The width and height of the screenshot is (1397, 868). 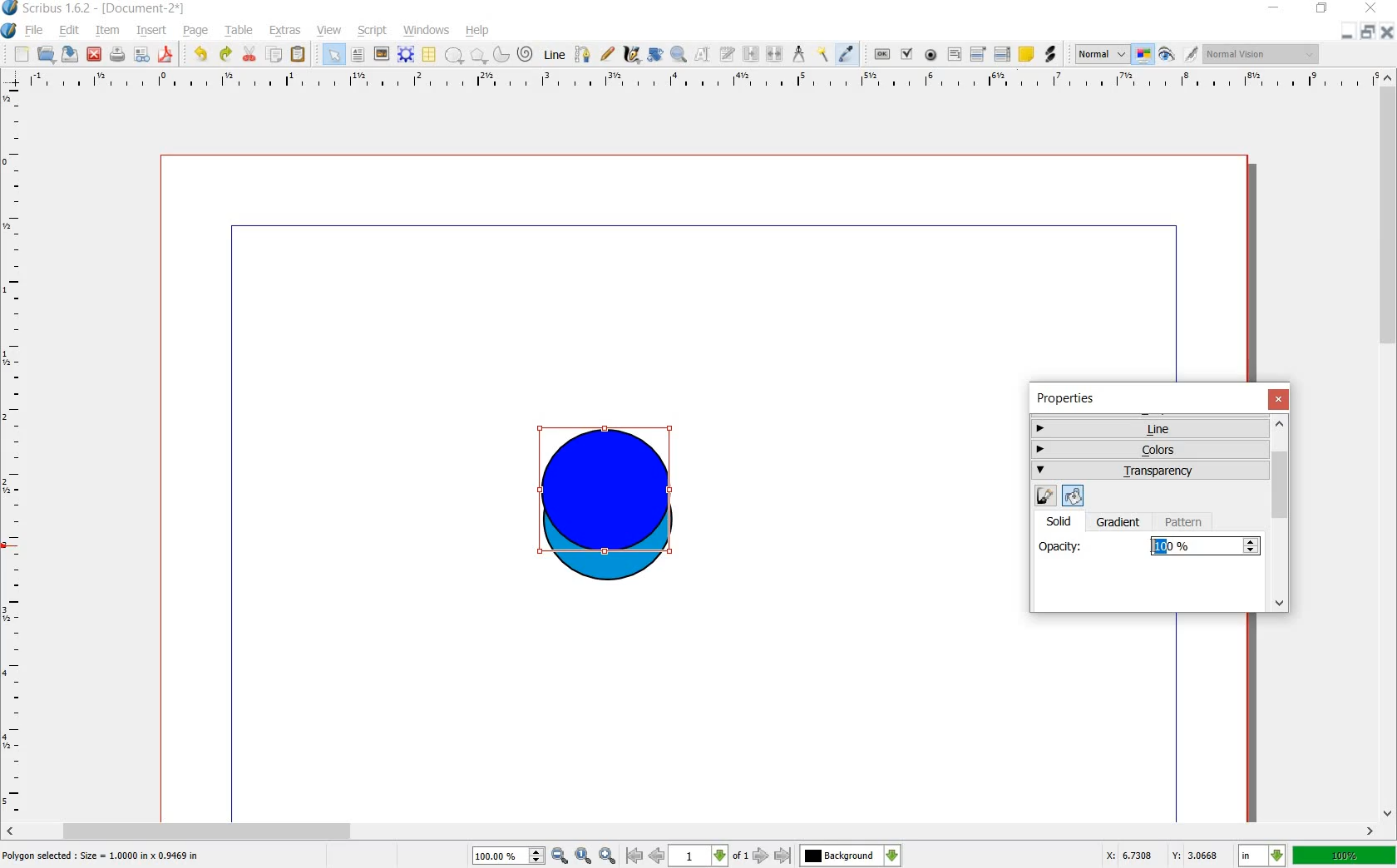 What do you see at coordinates (152, 32) in the screenshot?
I see `insert` at bounding box center [152, 32].